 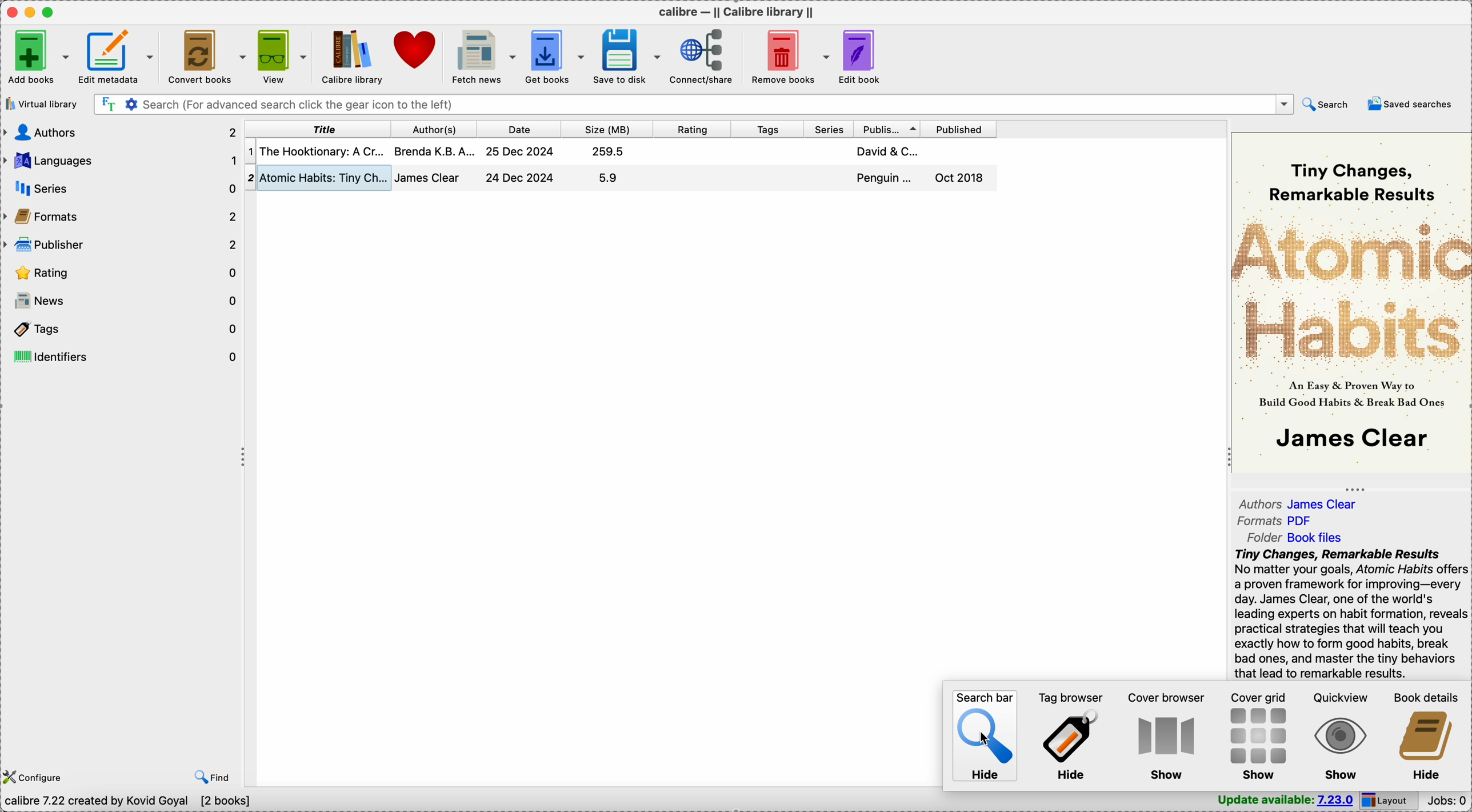 I want to click on virtual library, so click(x=39, y=107).